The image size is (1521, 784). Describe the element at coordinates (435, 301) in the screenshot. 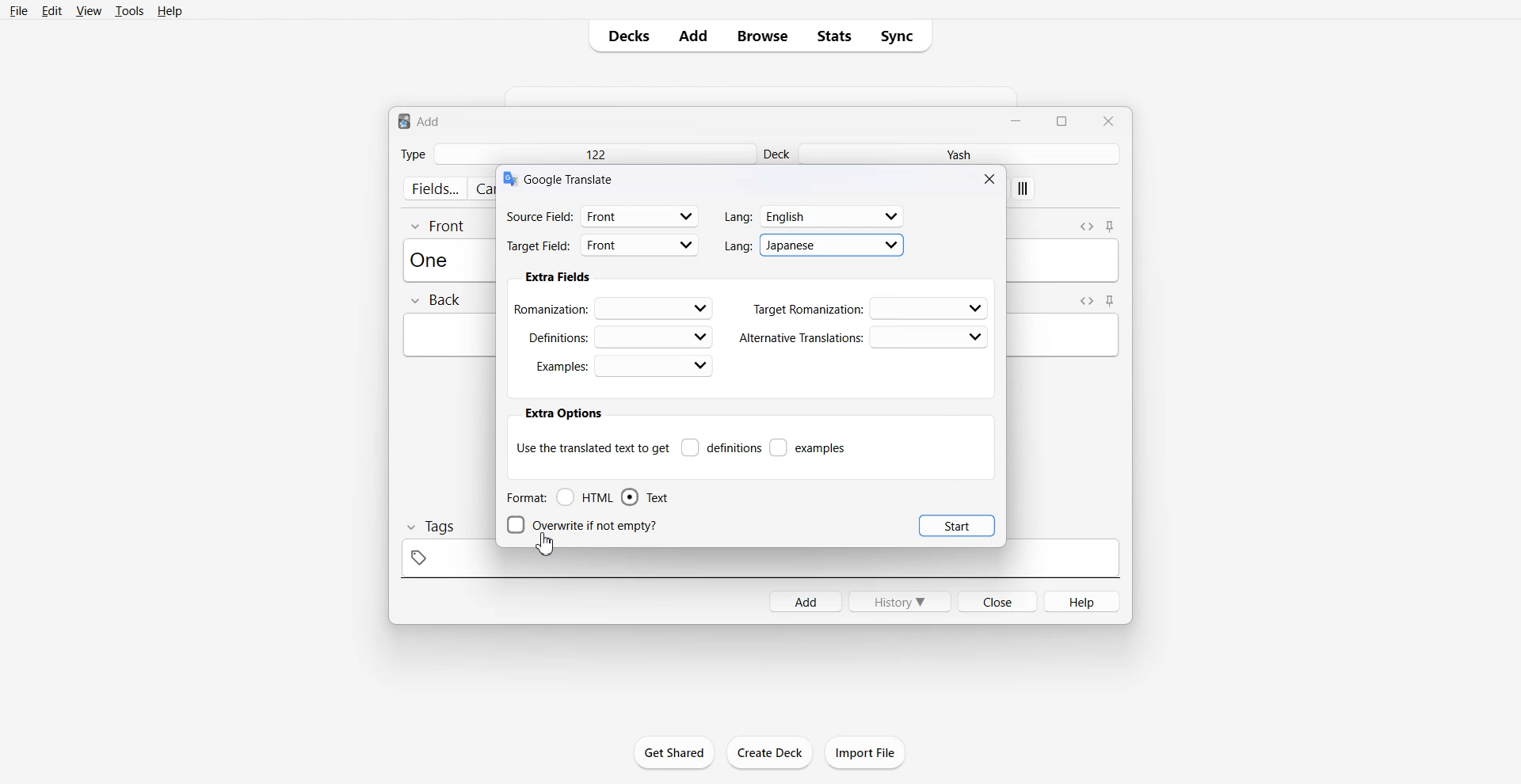

I see `Back` at that location.